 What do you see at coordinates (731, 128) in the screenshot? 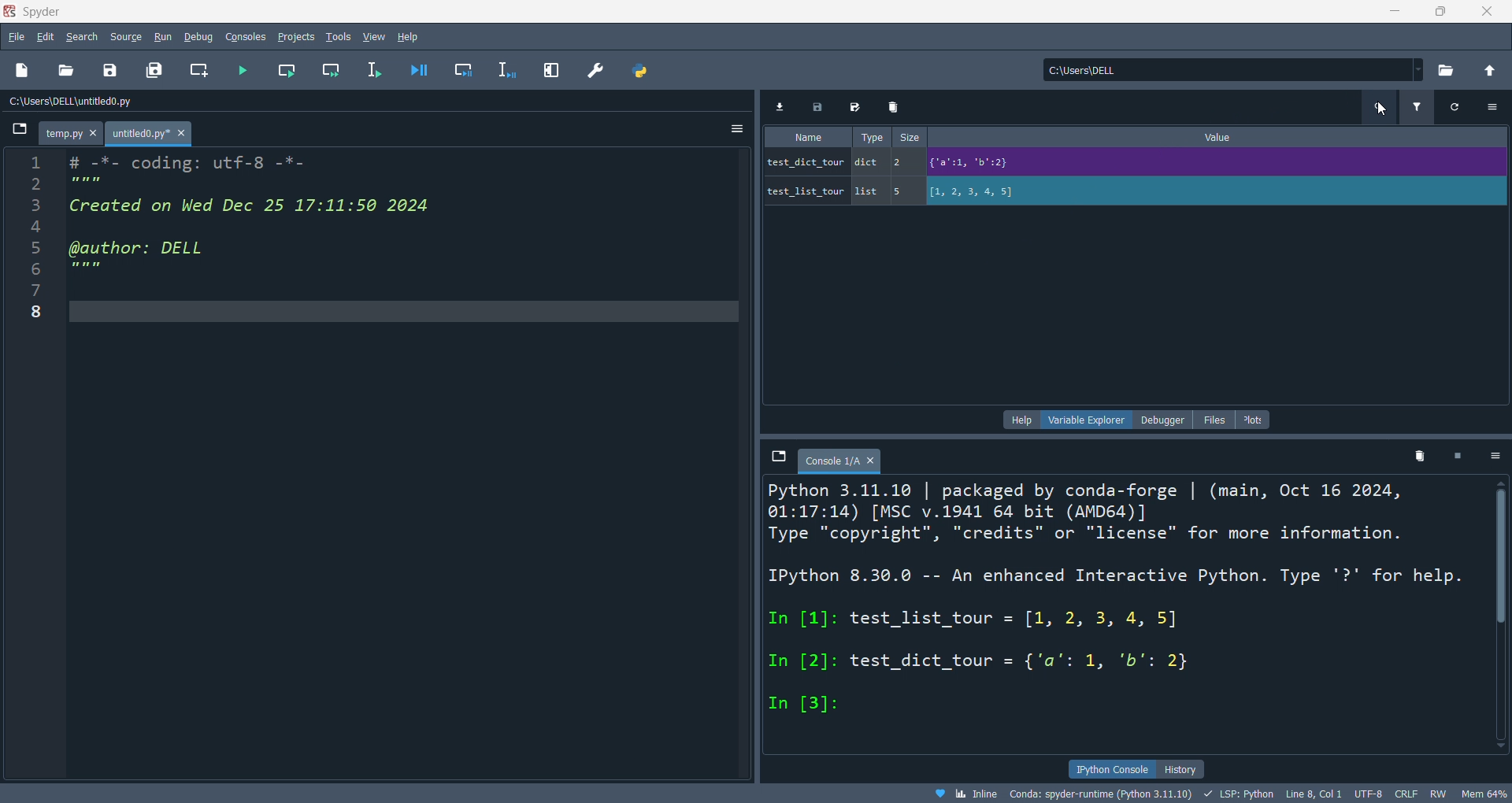
I see `options` at bounding box center [731, 128].